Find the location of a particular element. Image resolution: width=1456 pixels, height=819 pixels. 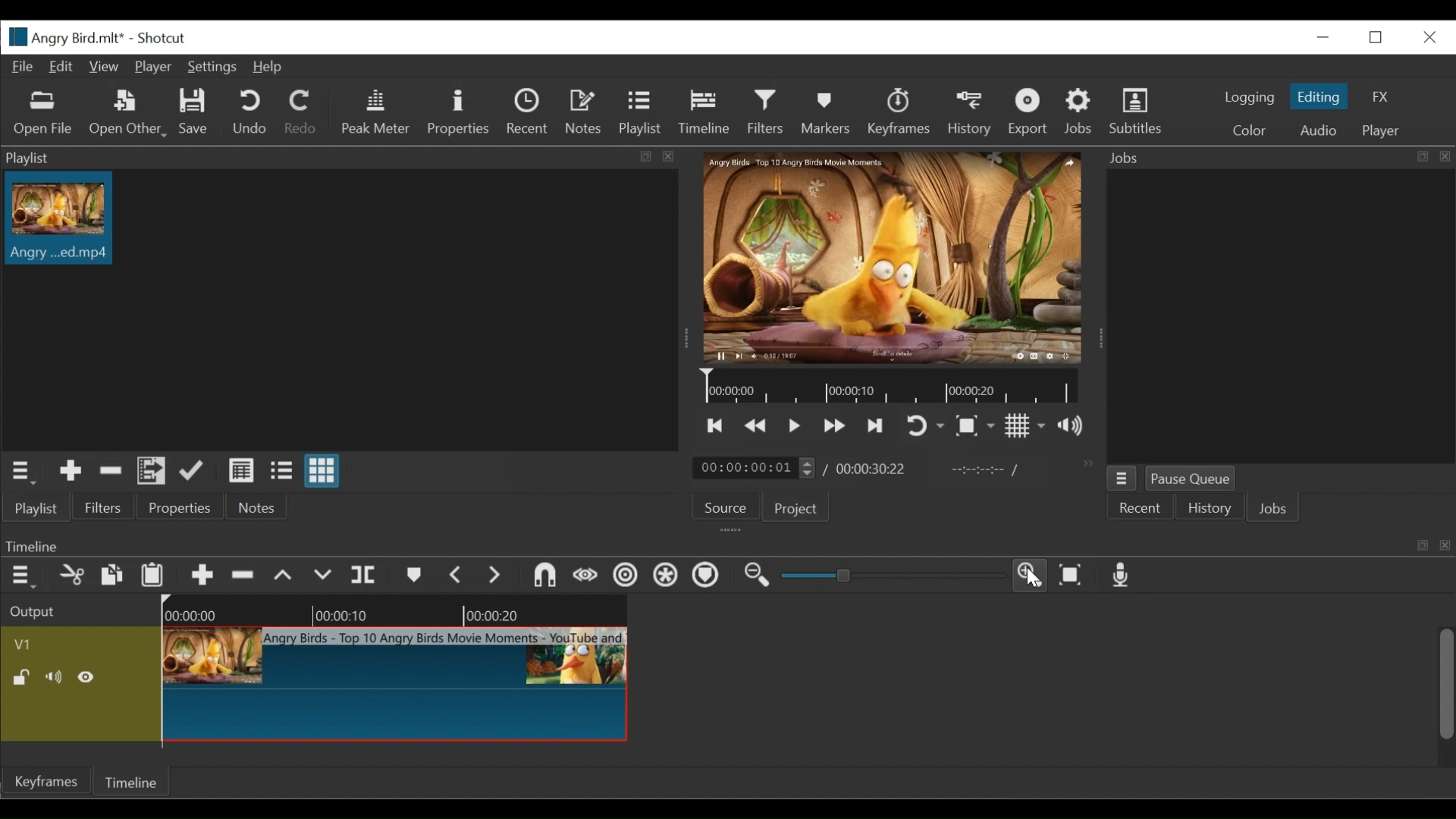

Filters is located at coordinates (767, 112).